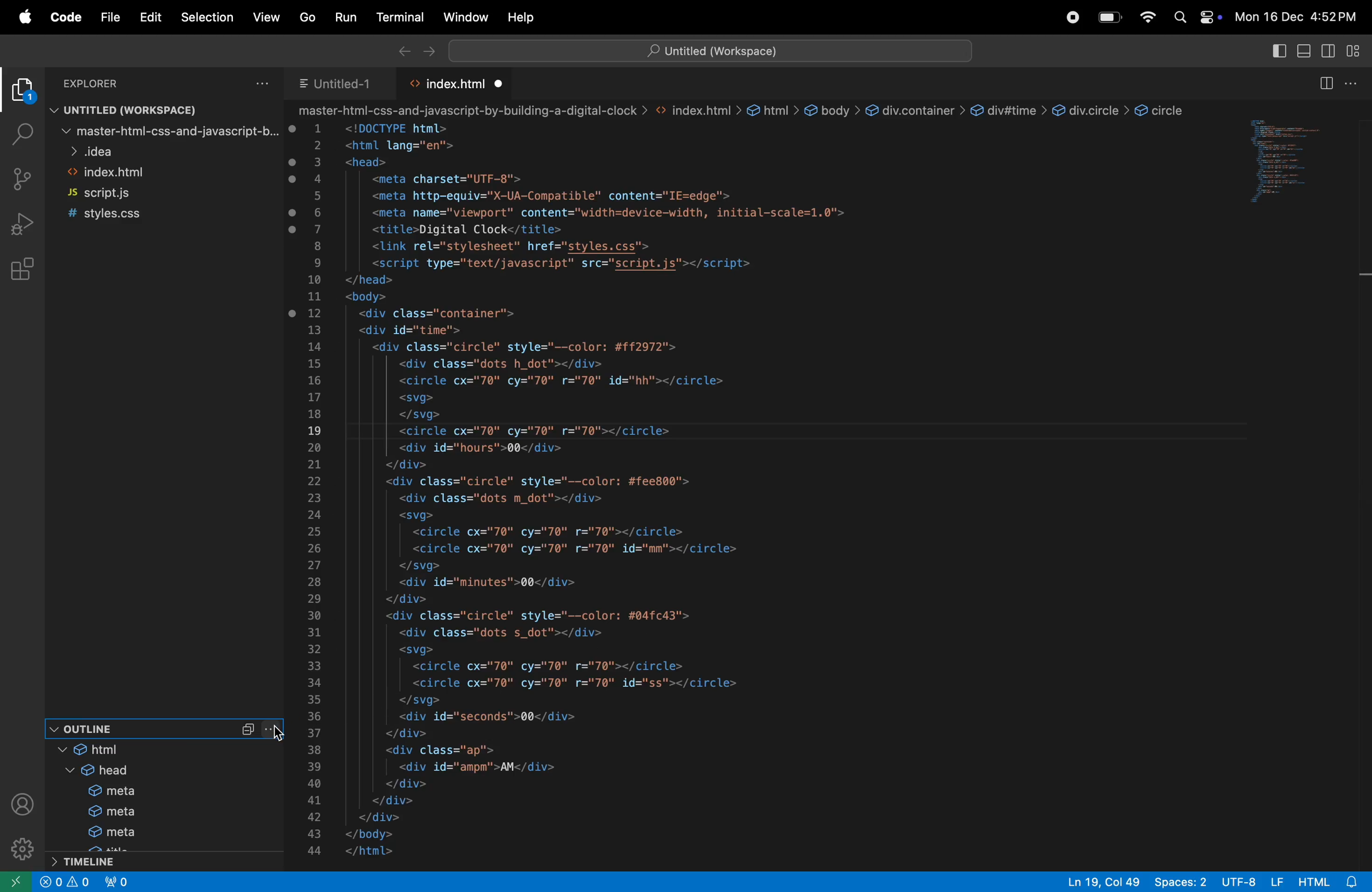 The width and height of the screenshot is (1372, 892). What do you see at coordinates (1067, 16) in the screenshot?
I see `chatgpt` at bounding box center [1067, 16].